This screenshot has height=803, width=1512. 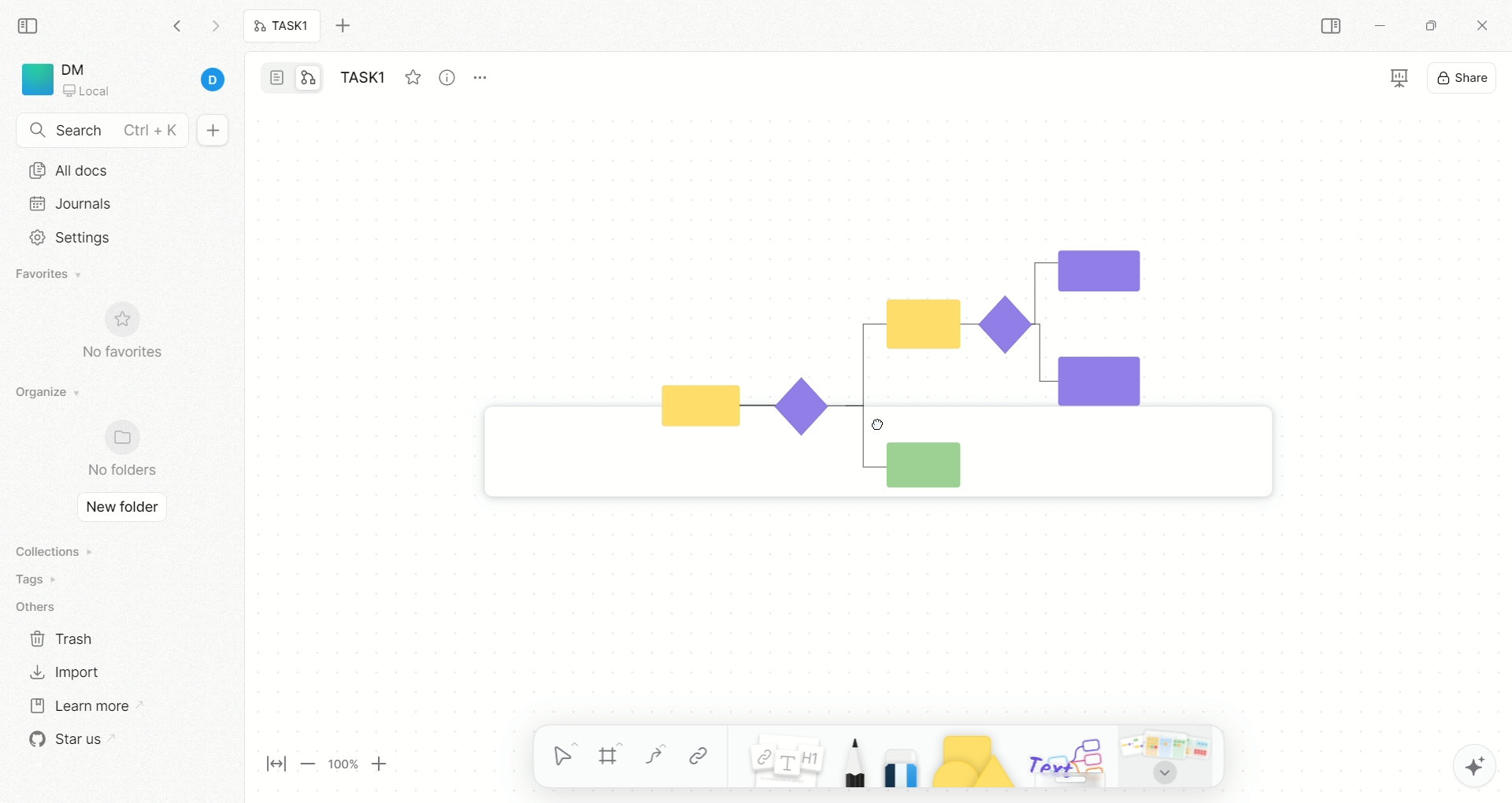 What do you see at coordinates (777, 756) in the screenshot?
I see `notes` at bounding box center [777, 756].